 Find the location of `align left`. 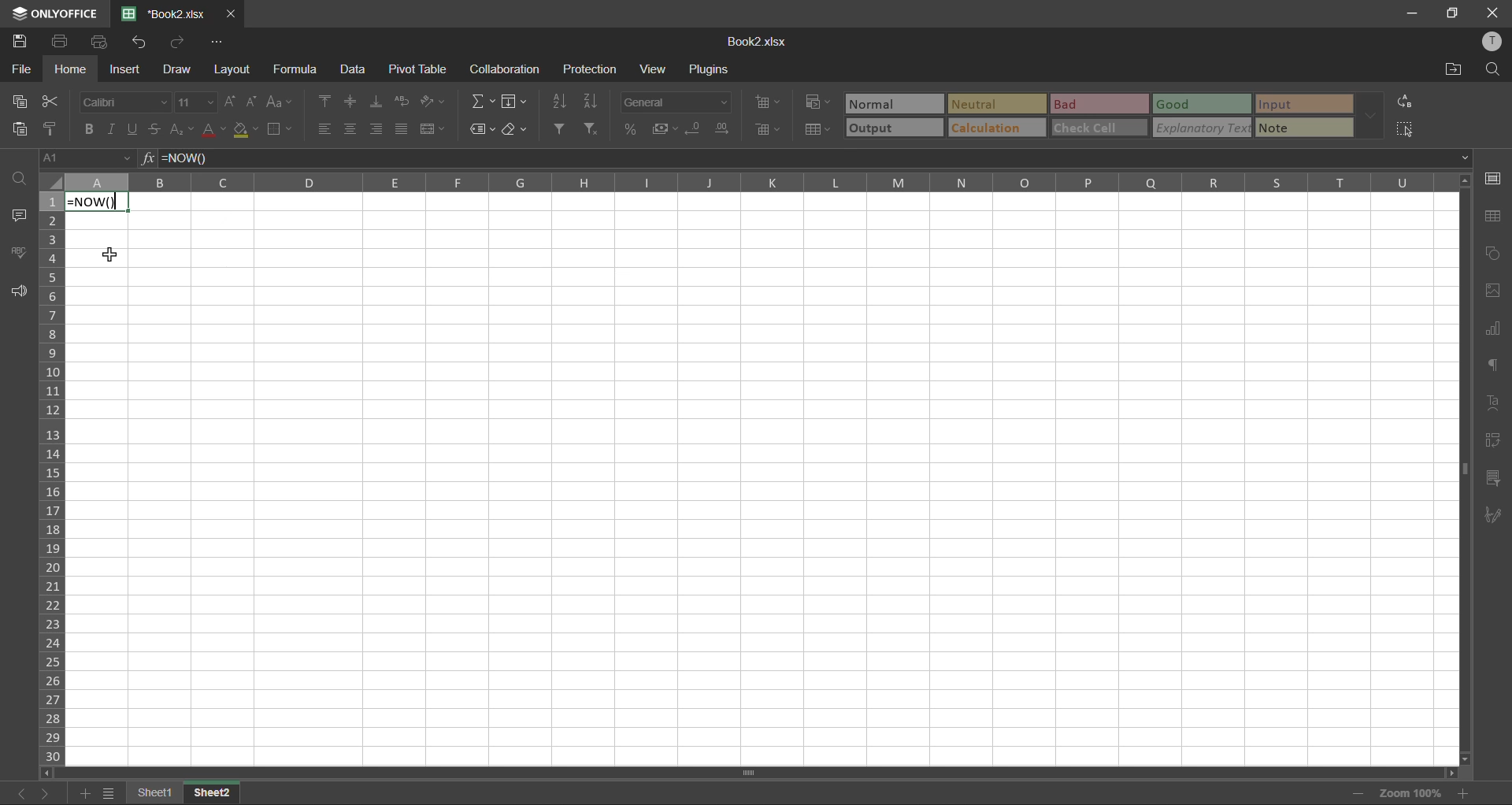

align left is located at coordinates (325, 129).